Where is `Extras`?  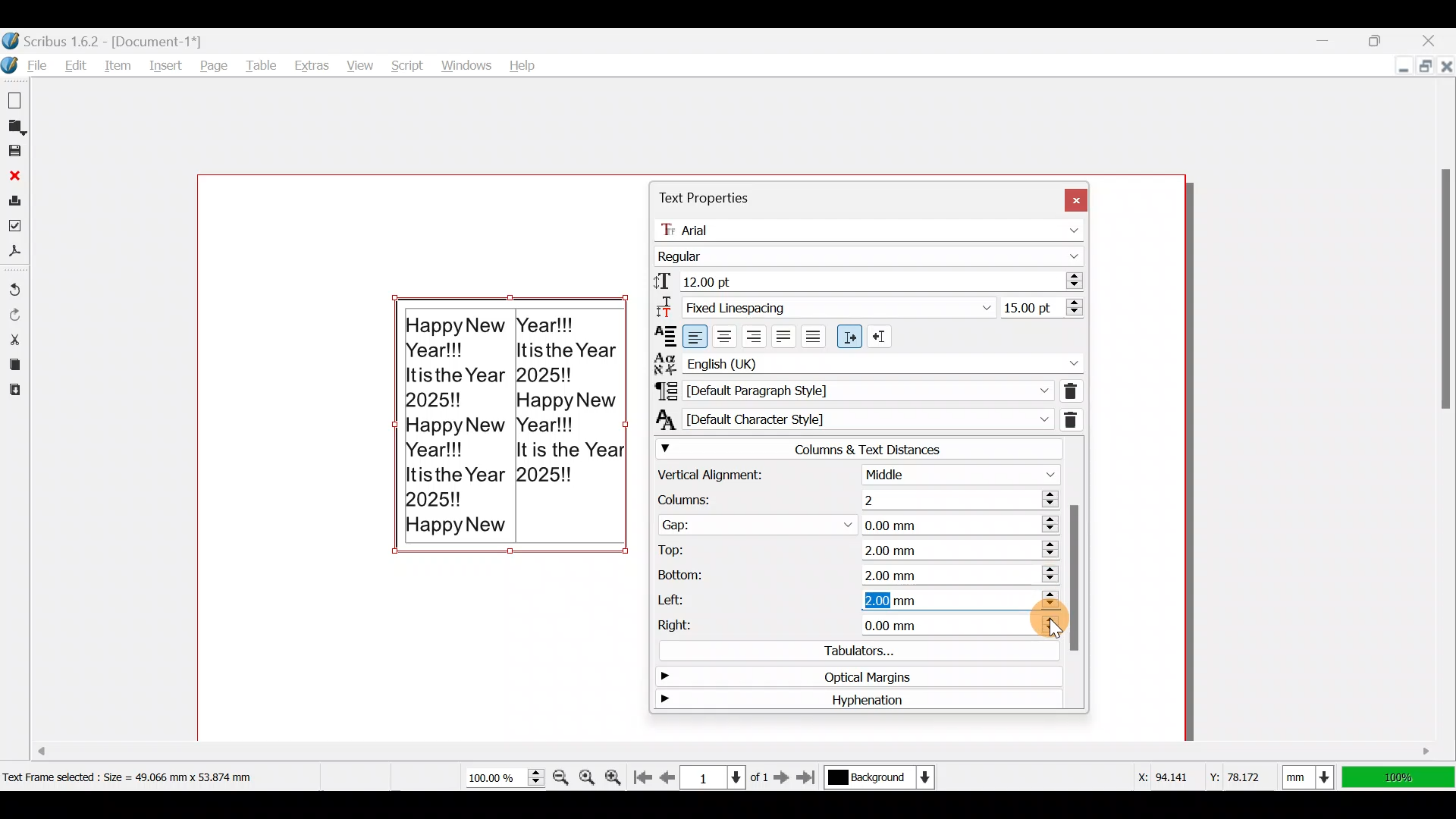
Extras is located at coordinates (313, 64).